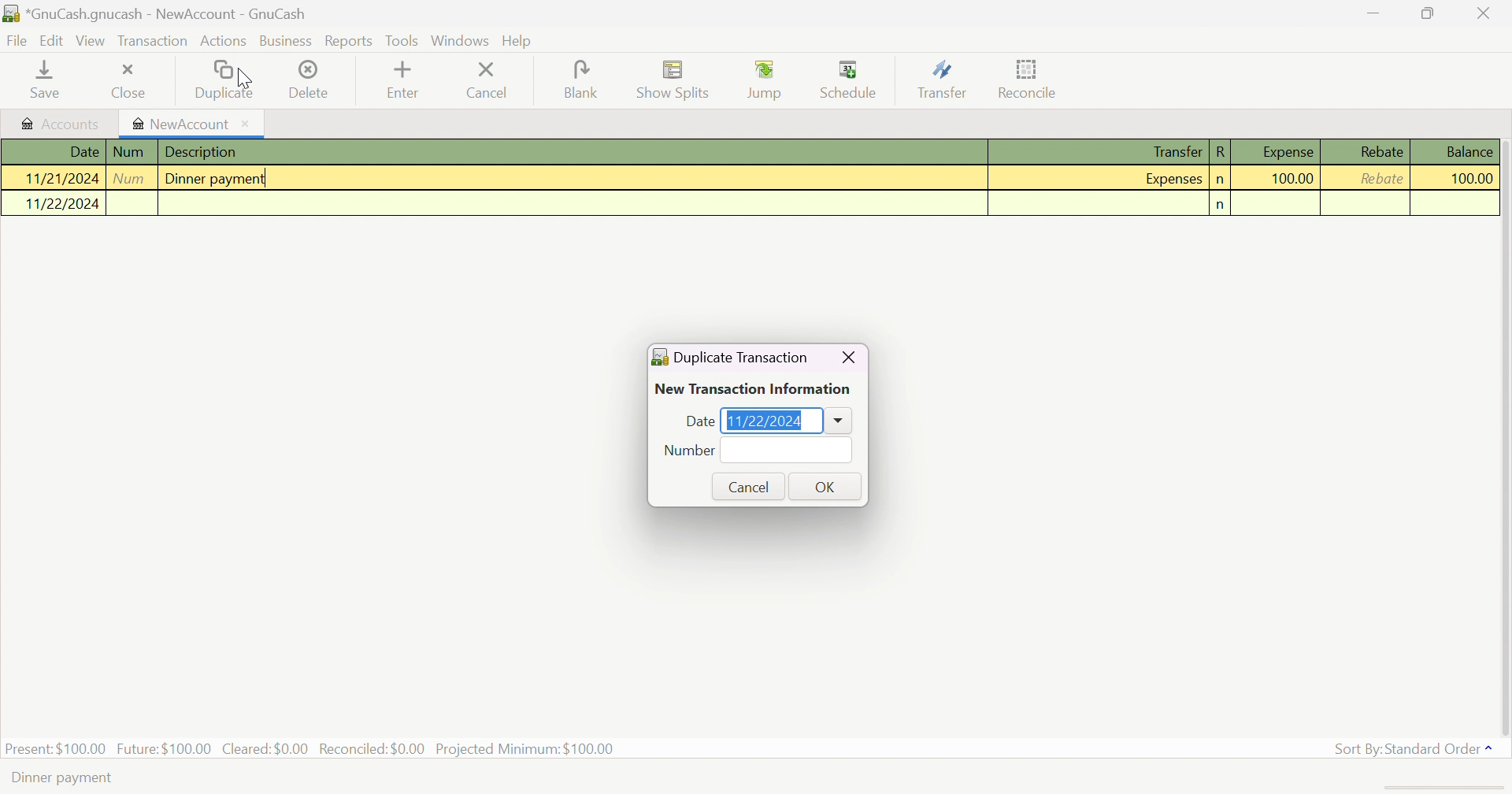  What do you see at coordinates (56, 748) in the screenshot?
I see `Present: $100.00` at bounding box center [56, 748].